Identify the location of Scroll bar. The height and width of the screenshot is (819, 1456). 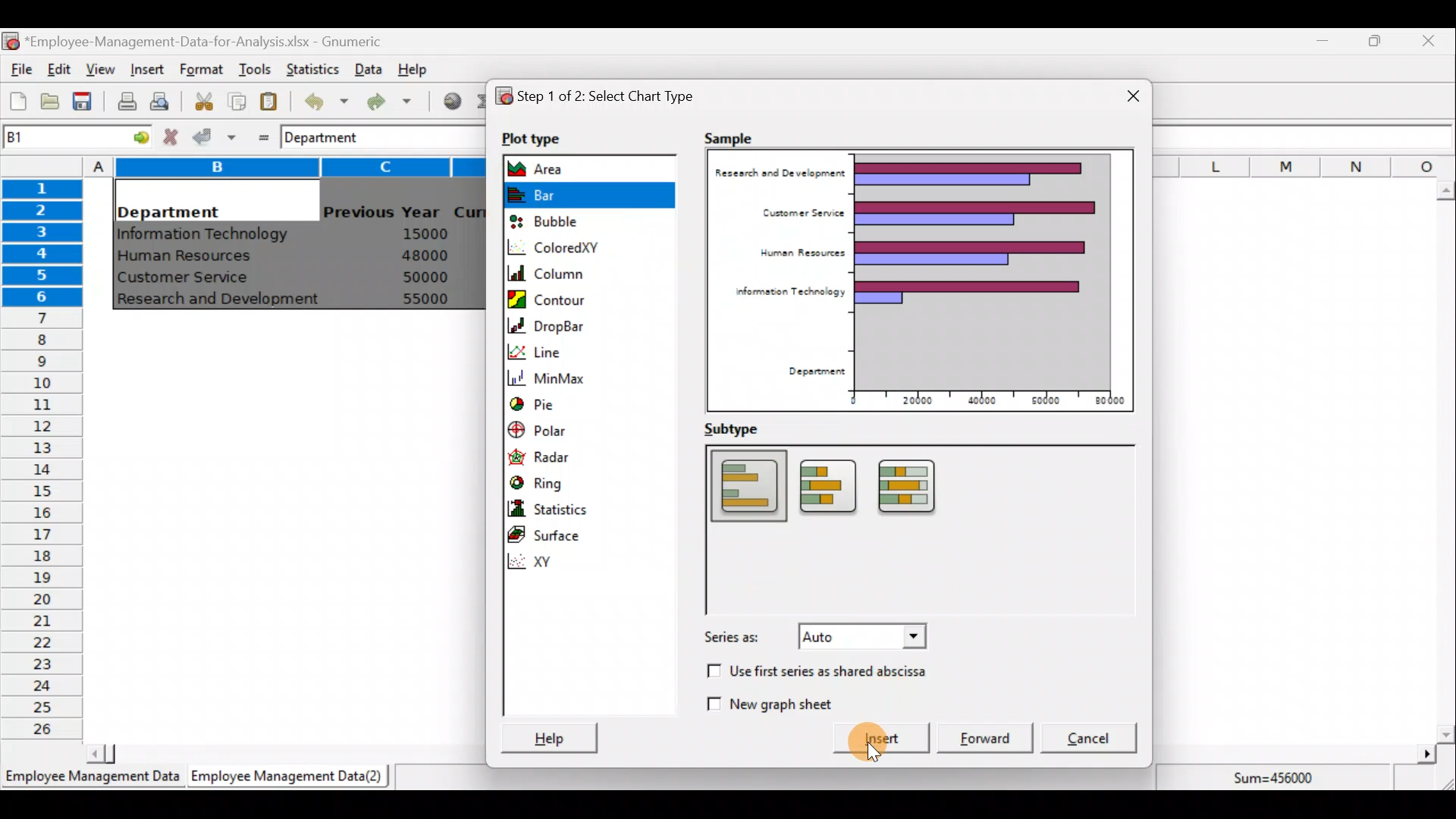
(1445, 462).